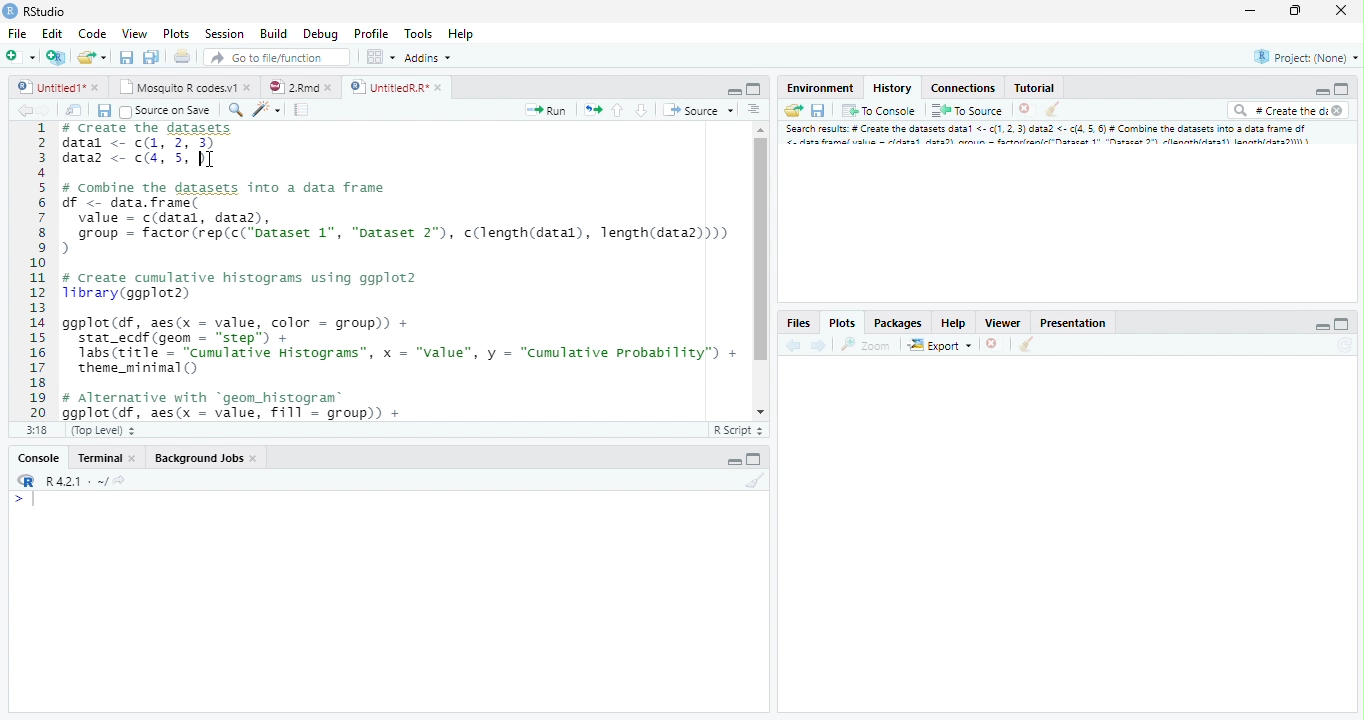 The height and width of the screenshot is (720, 1364). What do you see at coordinates (794, 347) in the screenshot?
I see `back` at bounding box center [794, 347].